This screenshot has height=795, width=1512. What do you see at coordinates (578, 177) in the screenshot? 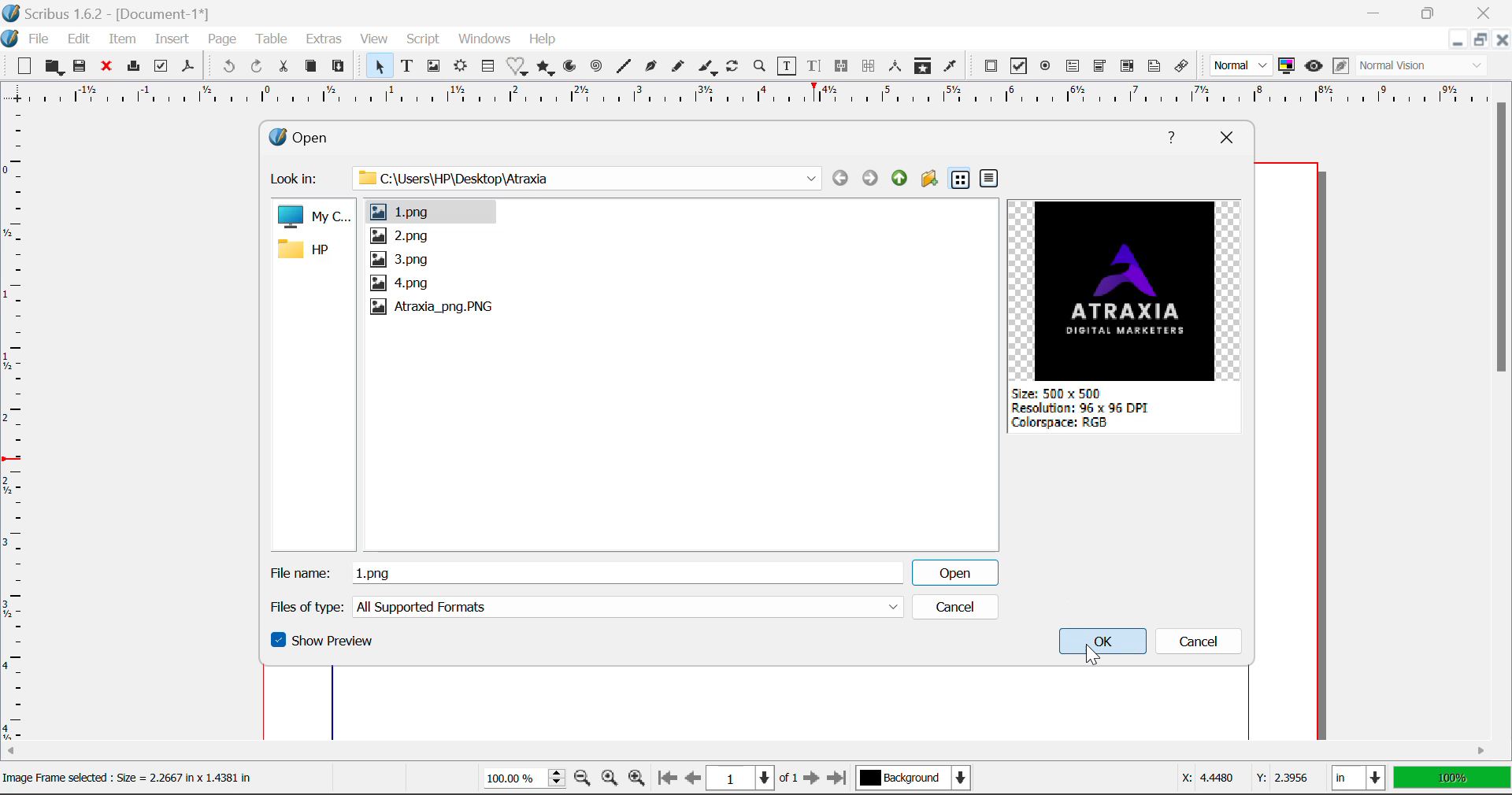
I see `7 C:\Users\HP\Desktop\Atraxia` at bounding box center [578, 177].